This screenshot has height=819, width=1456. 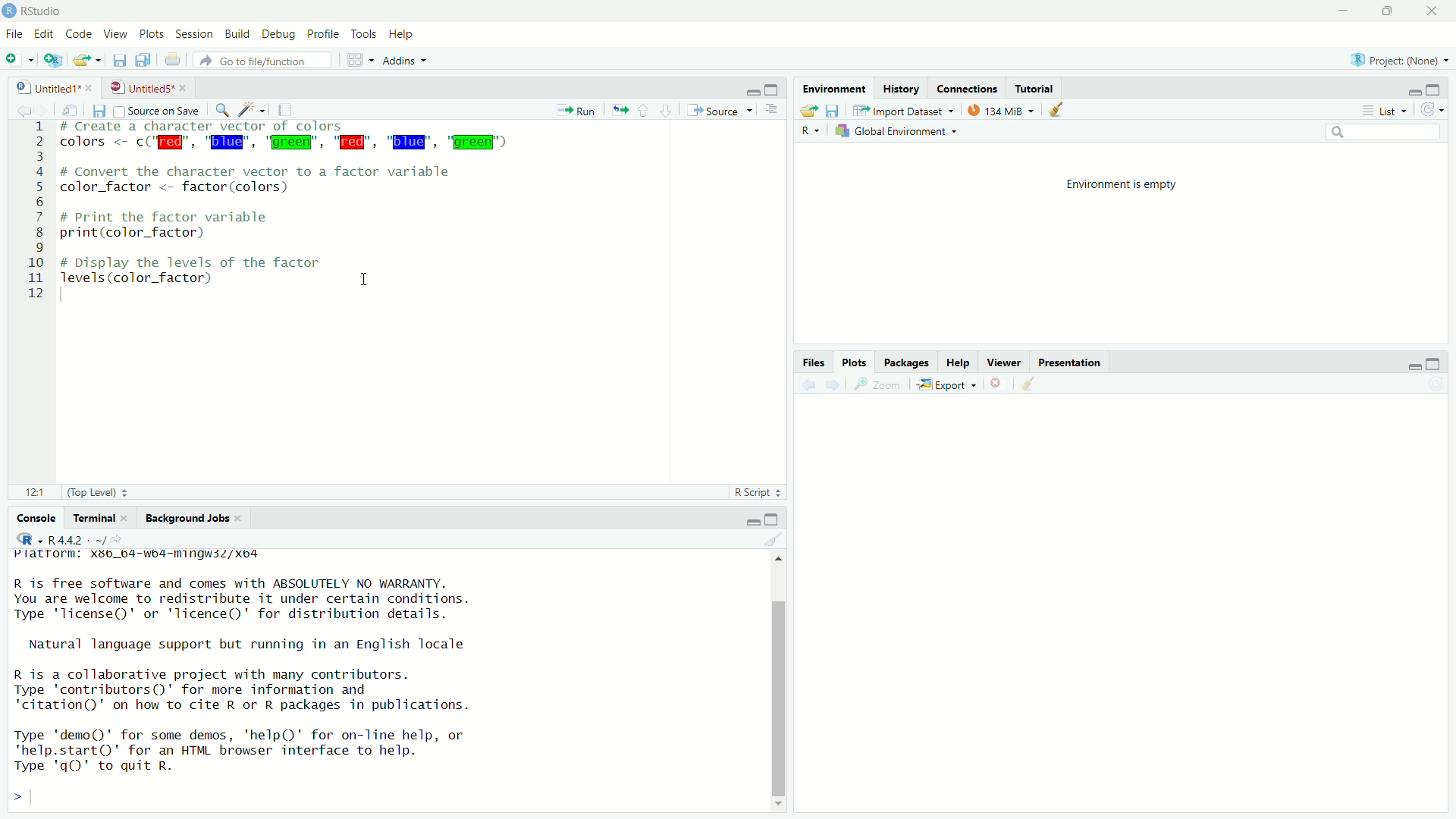 What do you see at coordinates (958, 363) in the screenshot?
I see `Help` at bounding box center [958, 363].